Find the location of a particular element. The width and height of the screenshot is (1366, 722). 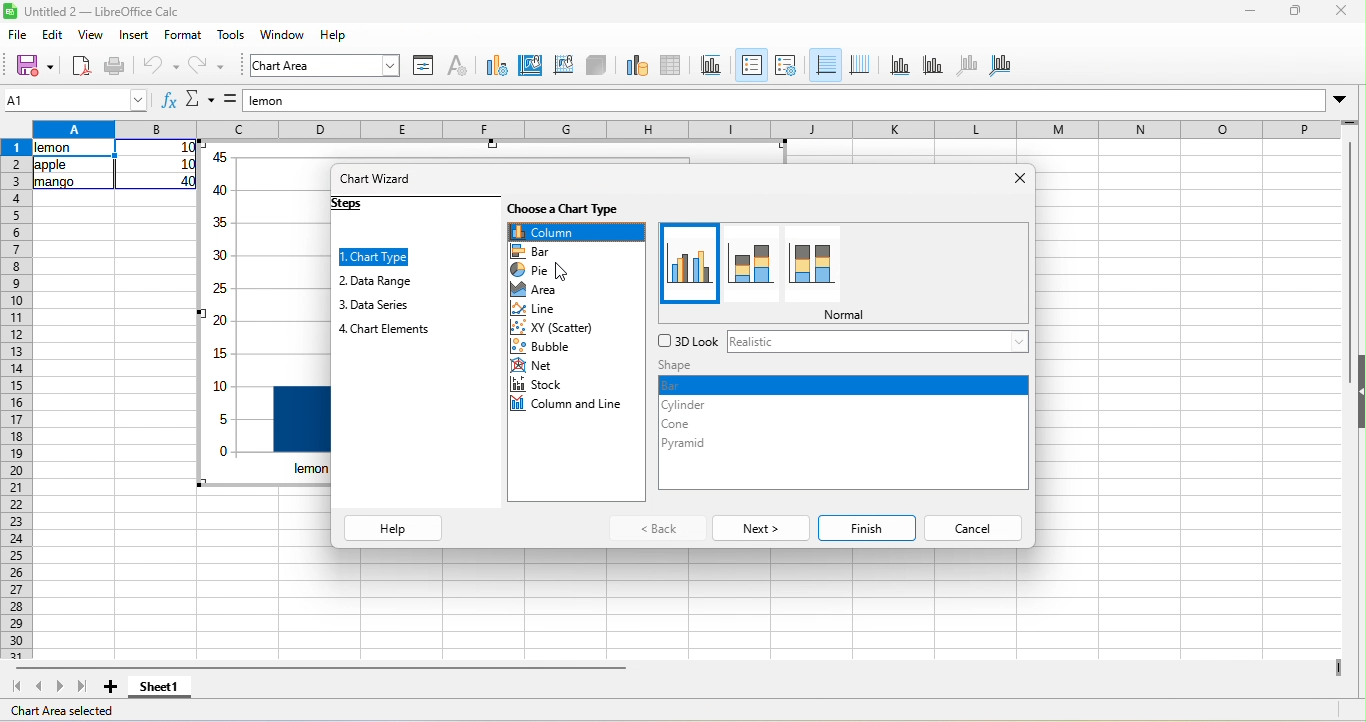

untitled 2- libre ofice calc is located at coordinates (109, 13).